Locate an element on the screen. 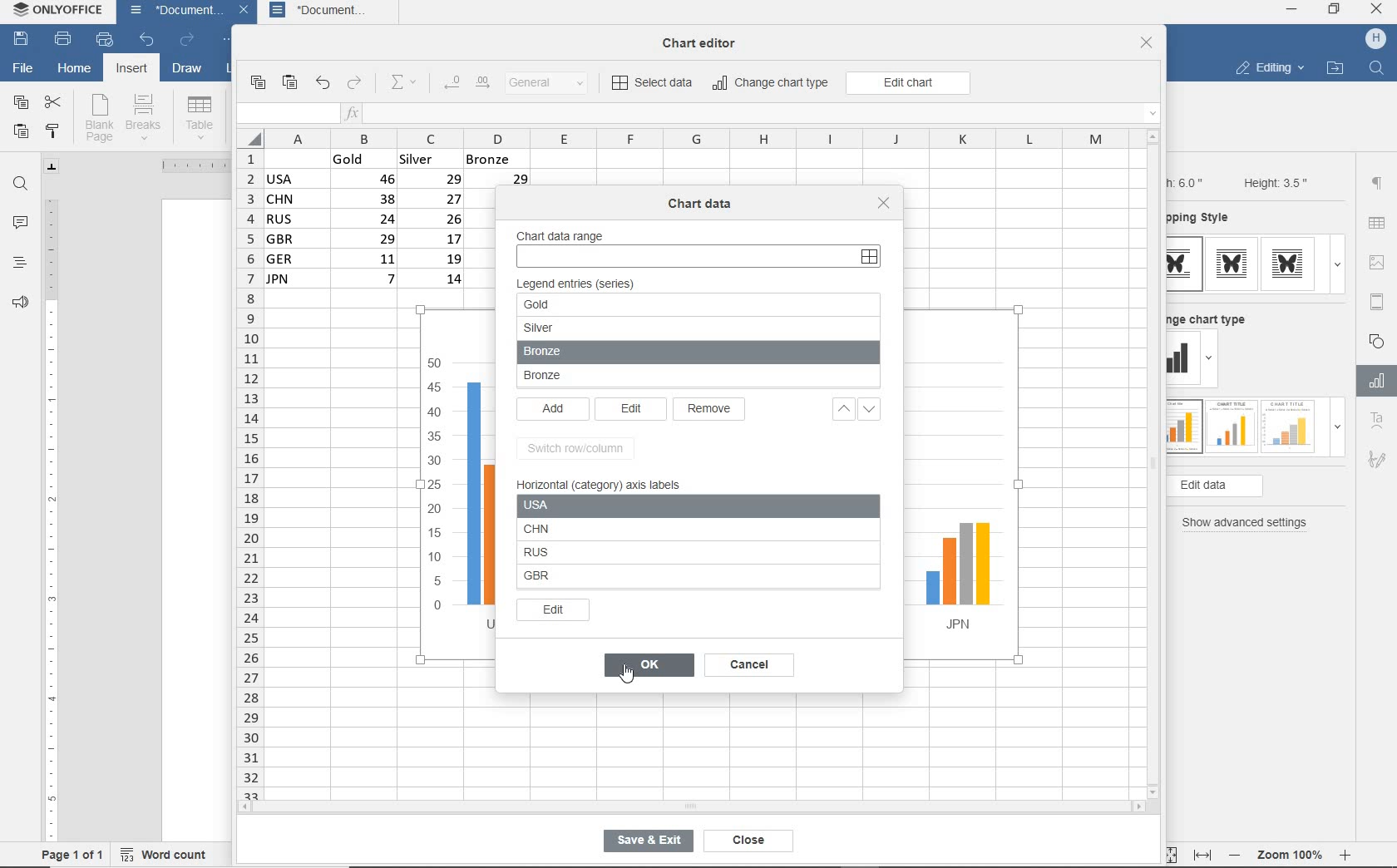 This screenshot has height=868, width=1397. print is located at coordinates (62, 40).